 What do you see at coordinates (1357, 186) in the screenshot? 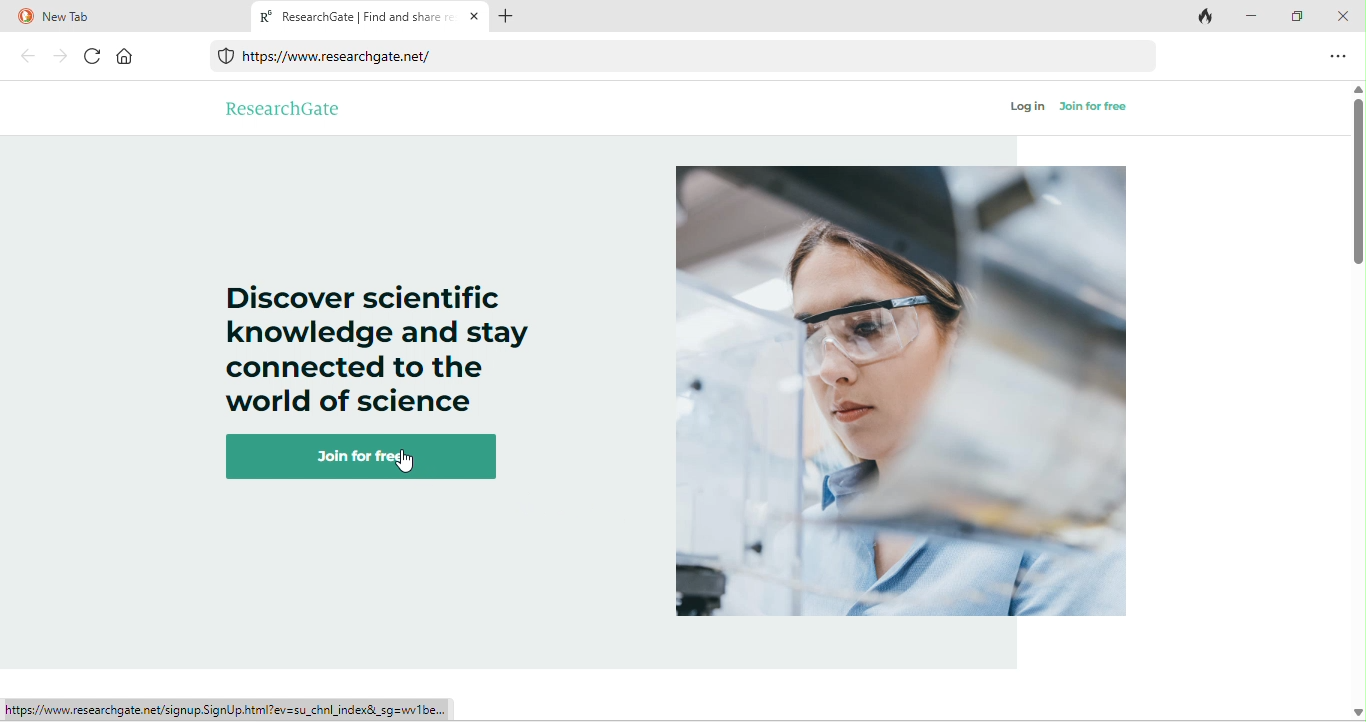
I see `vertical scroll bar` at bounding box center [1357, 186].